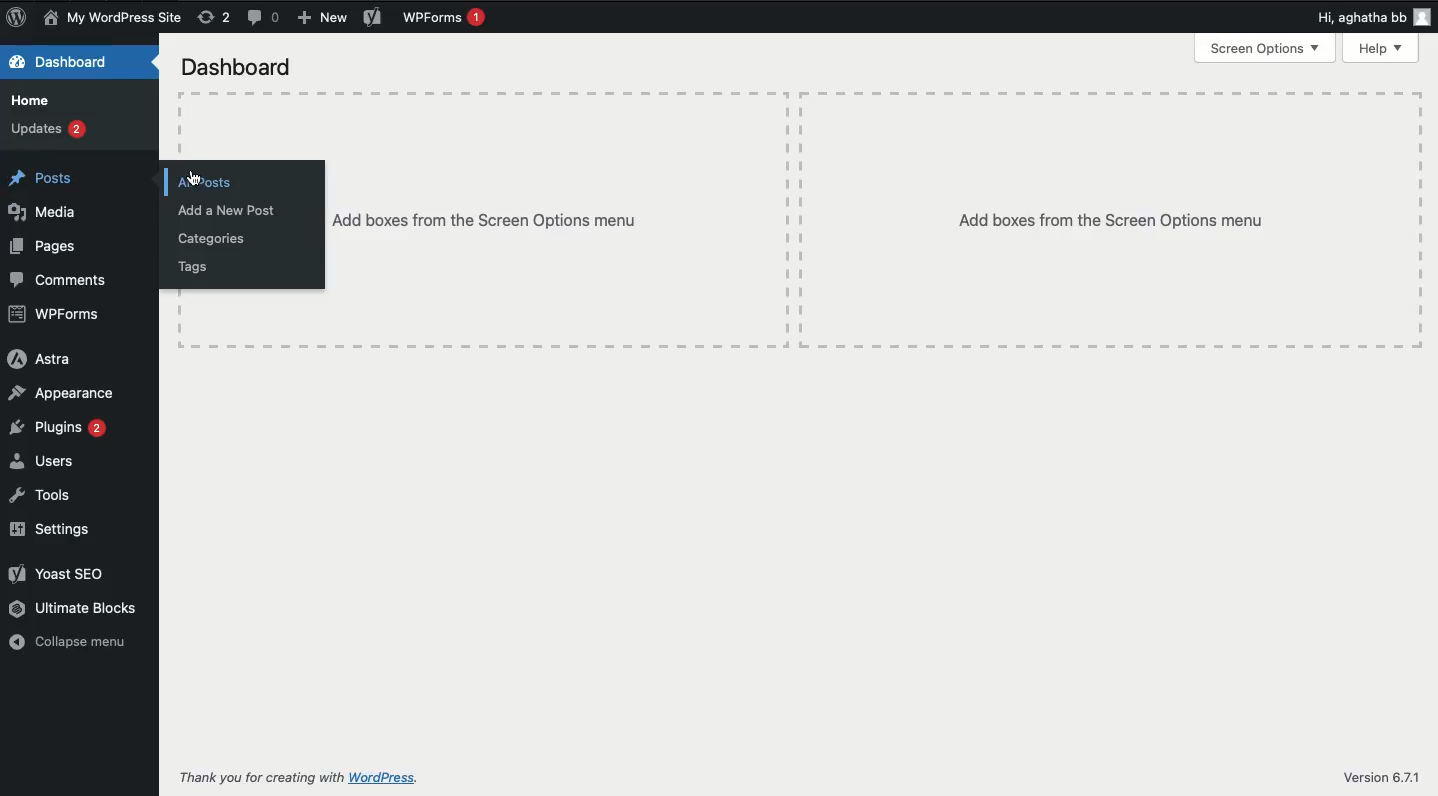 This screenshot has width=1438, height=796. Describe the element at coordinates (204, 185) in the screenshot. I see `All posts` at that location.